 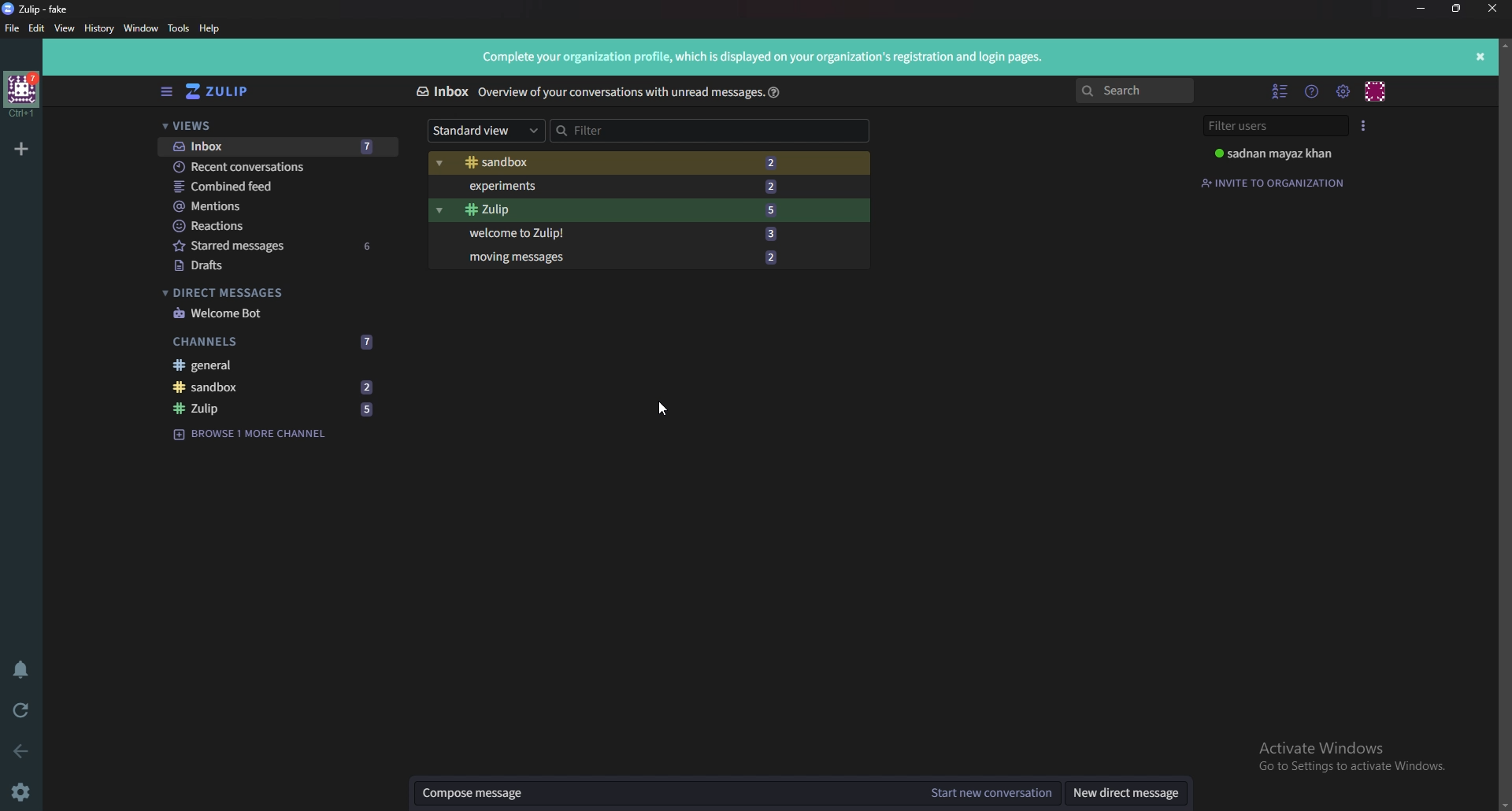 What do you see at coordinates (1460, 9) in the screenshot?
I see `Resize` at bounding box center [1460, 9].